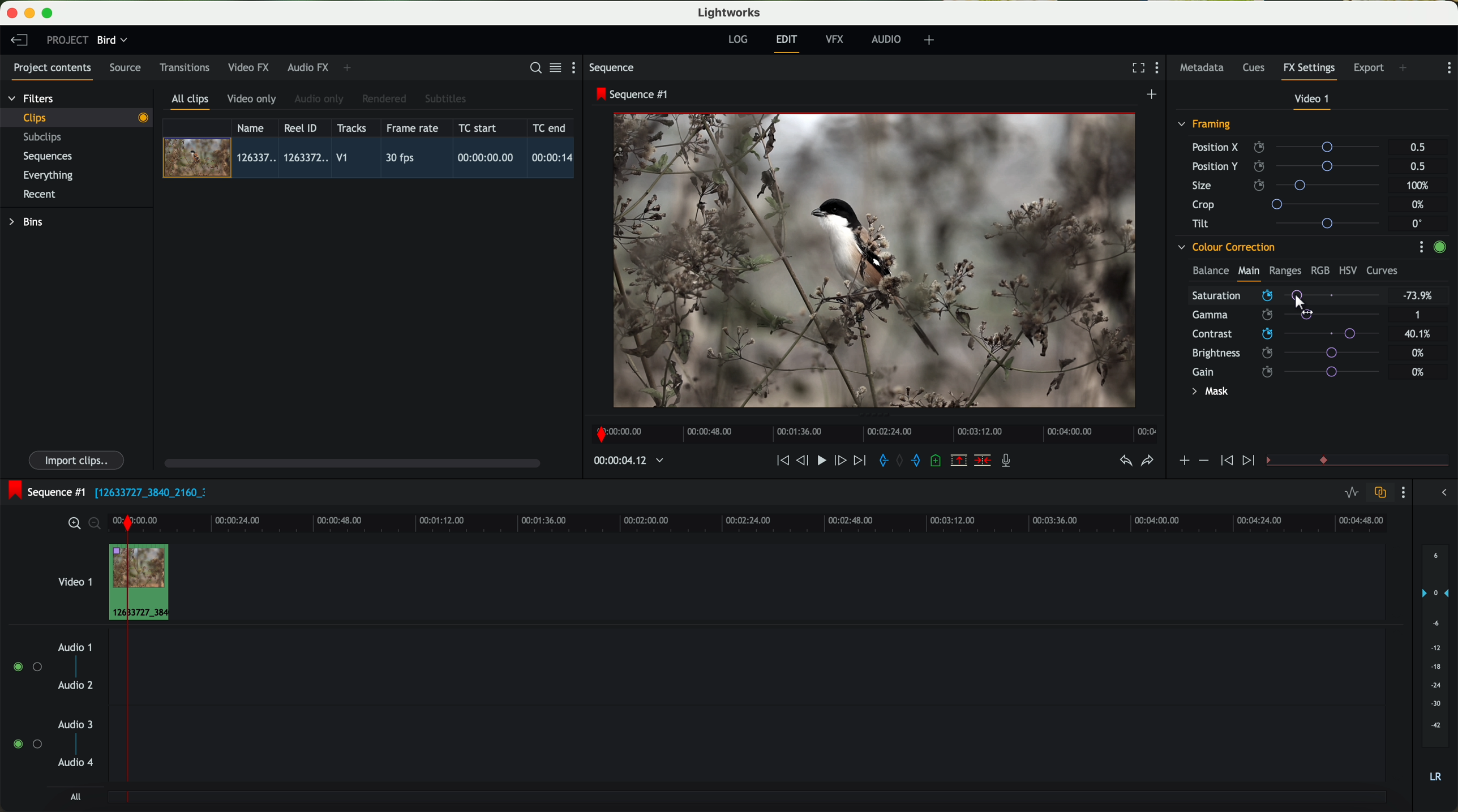  I want to click on toggle audio levels editing, so click(1351, 494).